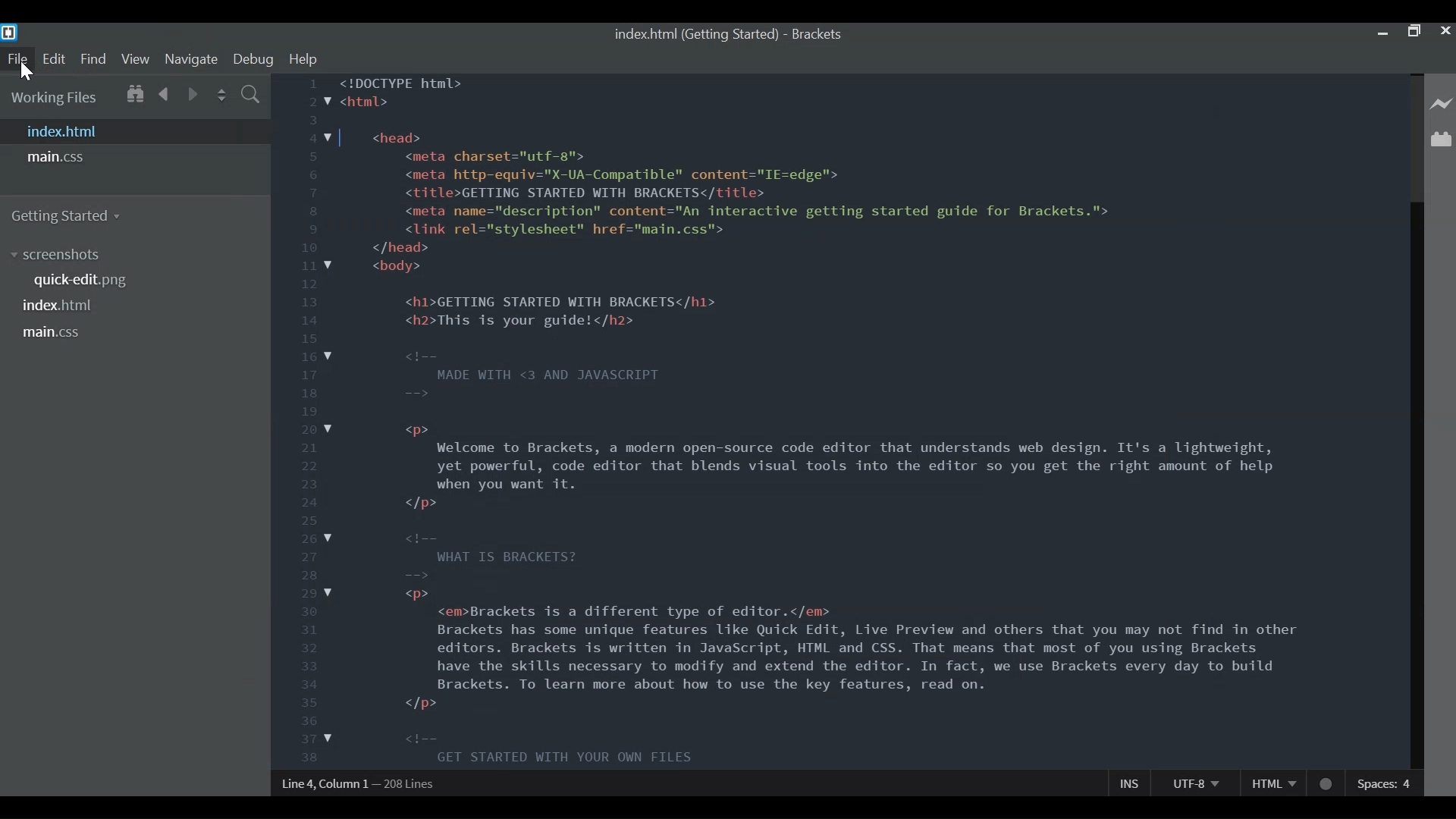 The height and width of the screenshot is (819, 1456). What do you see at coordinates (55, 99) in the screenshot?
I see `Working Files` at bounding box center [55, 99].